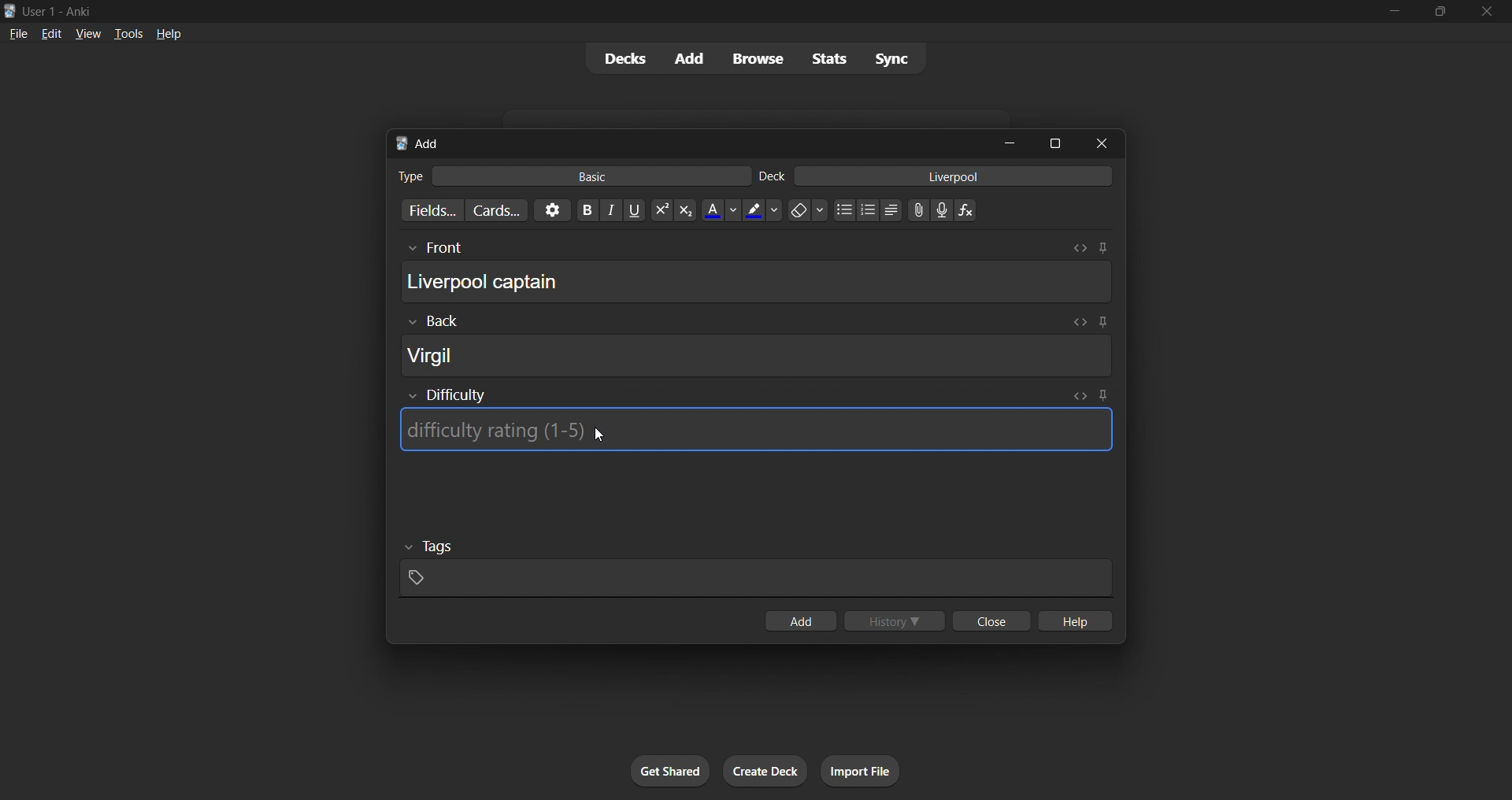 This screenshot has width=1512, height=800. What do you see at coordinates (60, 13) in the screenshot?
I see `Text` at bounding box center [60, 13].